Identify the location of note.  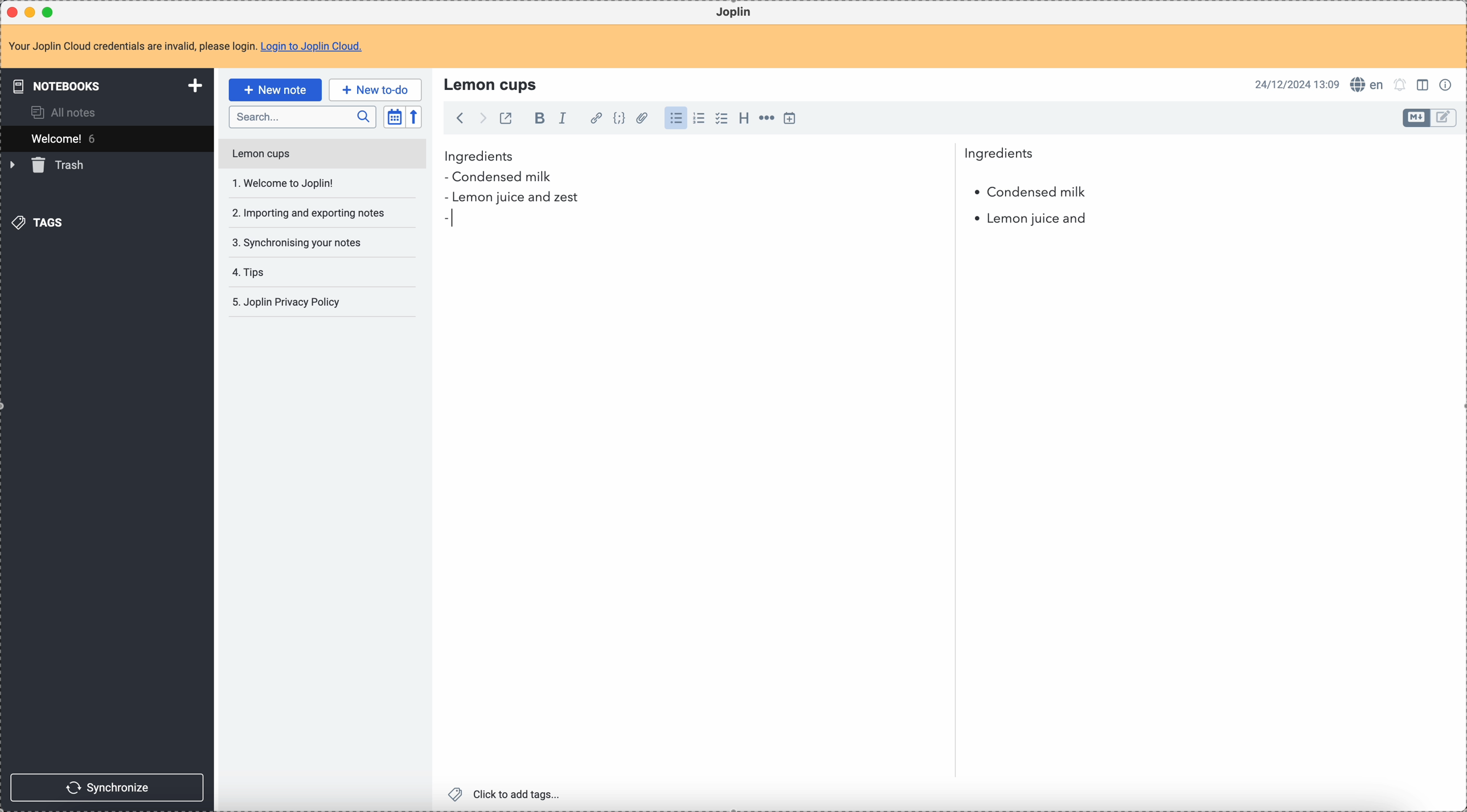
(192, 47).